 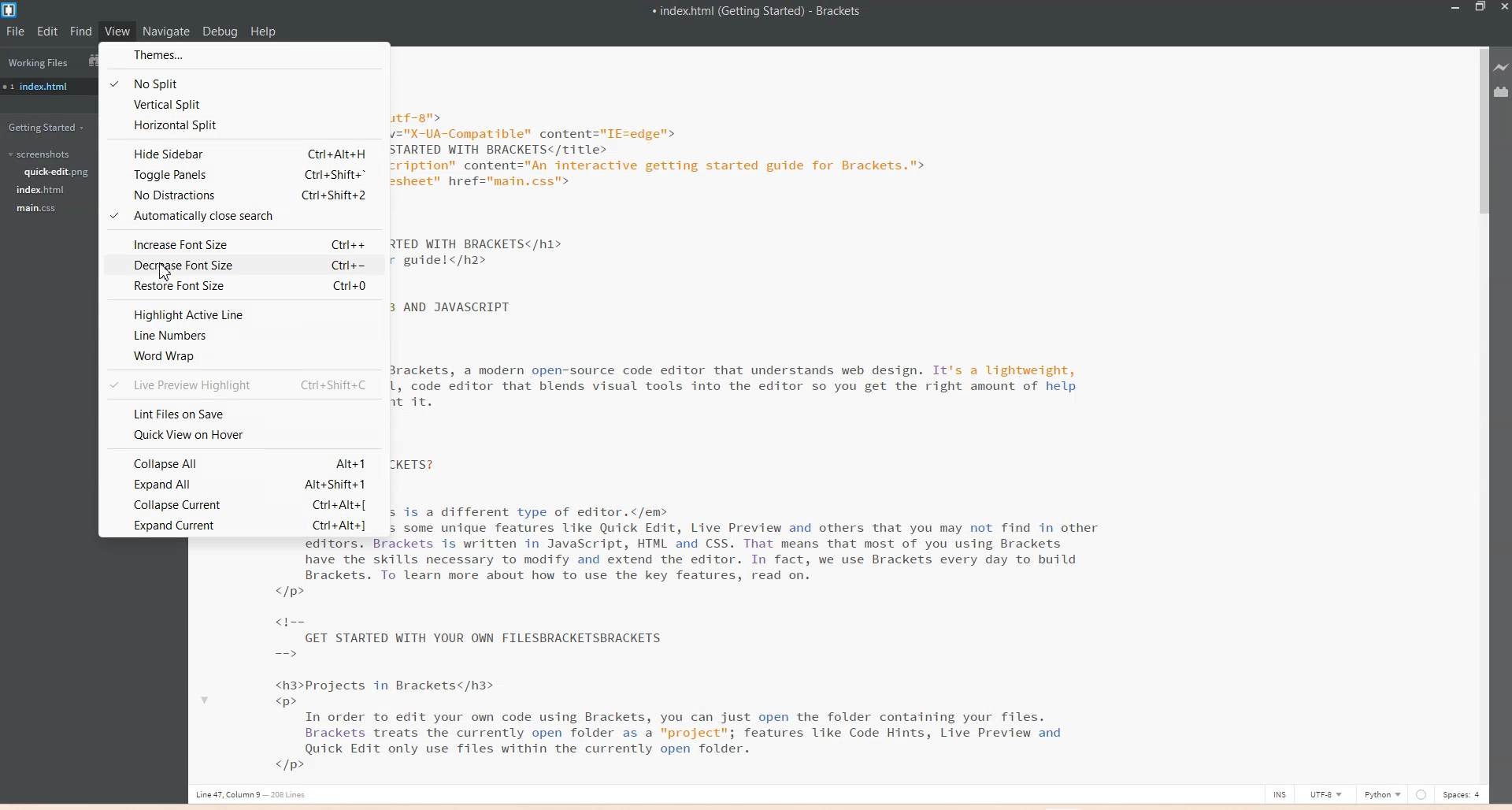 I want to click on Increase Font Size, so click(x=243, y=244).